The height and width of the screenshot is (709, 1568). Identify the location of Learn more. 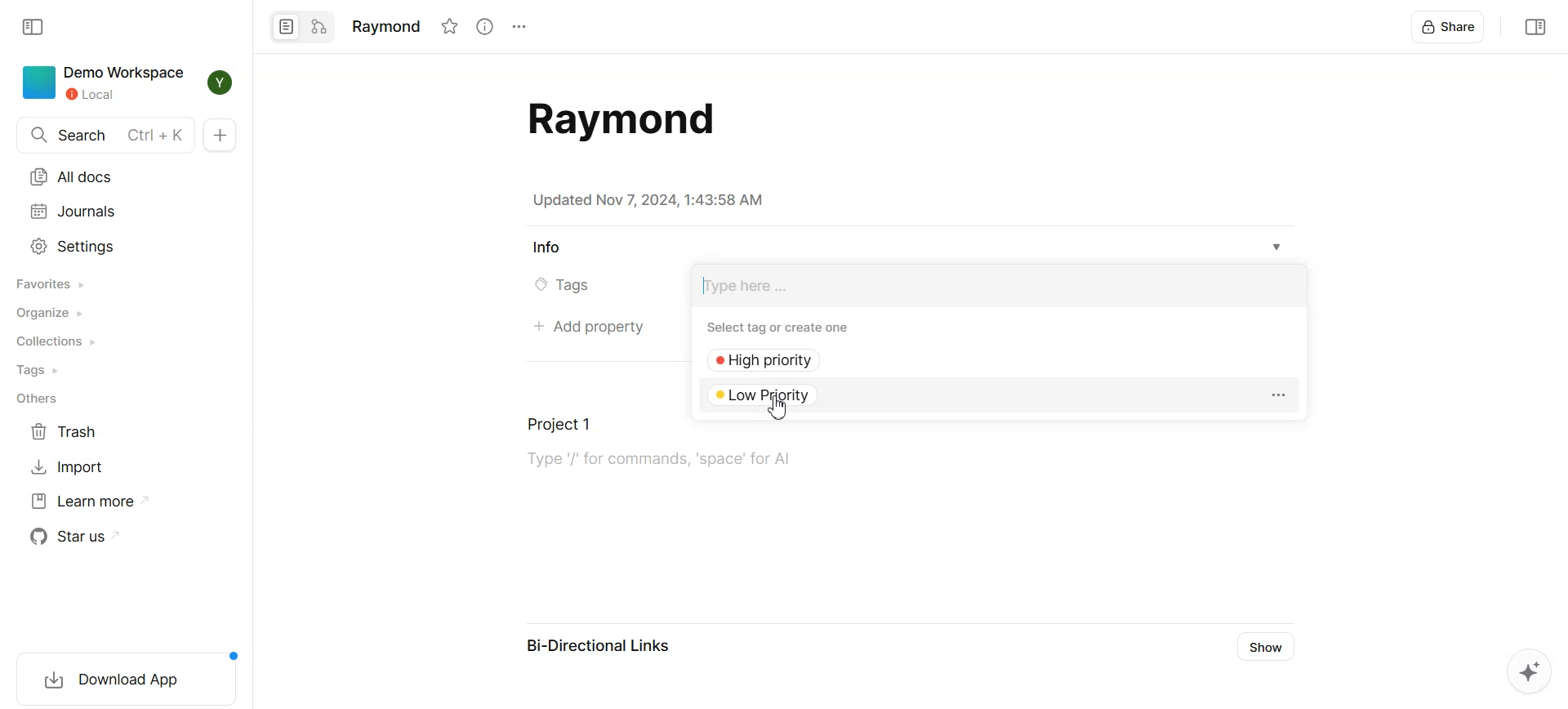
(91, 501).